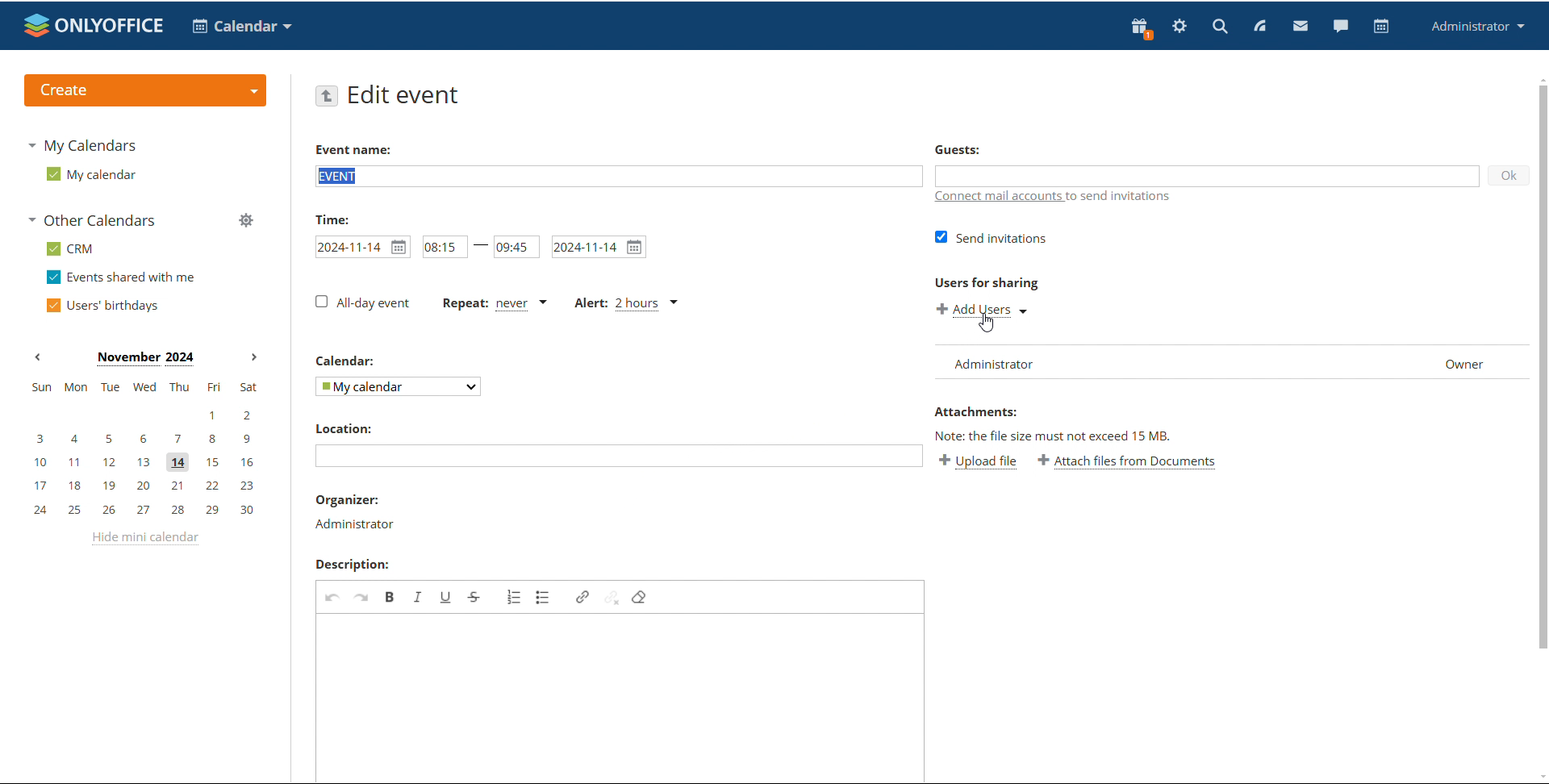 Image resolution: width=1549 pixels, height=784 pixels. What do you see at coordinates (1300, 25) in the screenshot?
I see `mail` at bounding box center [1300, 25].